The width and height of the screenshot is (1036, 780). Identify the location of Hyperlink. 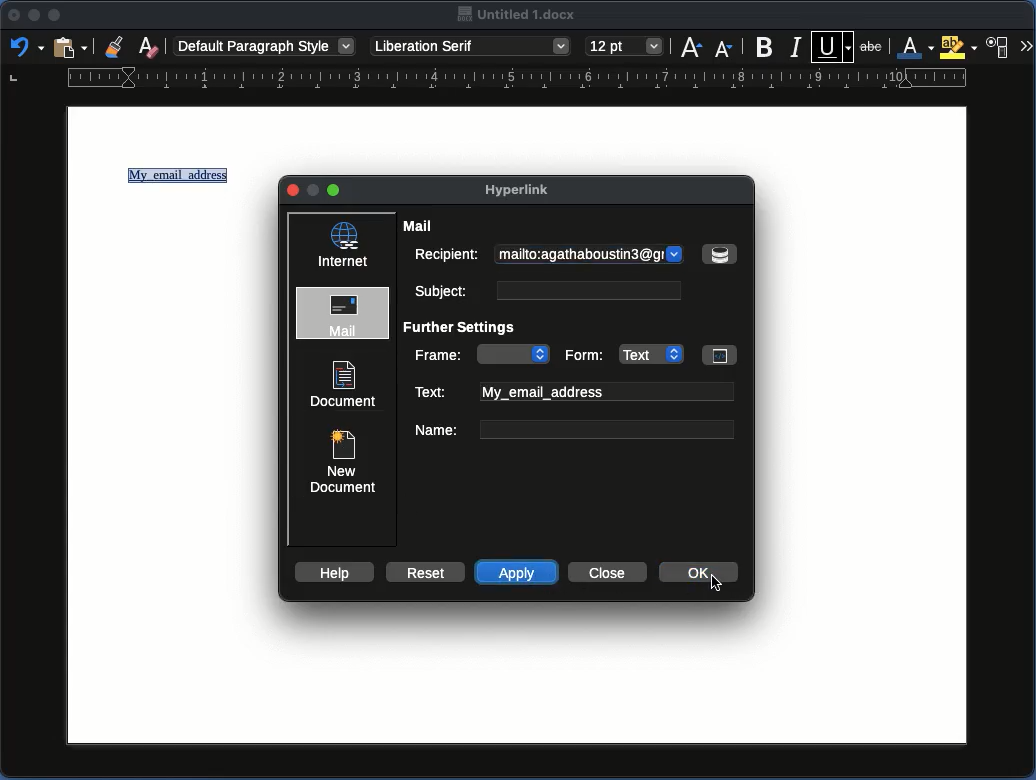
(526, 192).